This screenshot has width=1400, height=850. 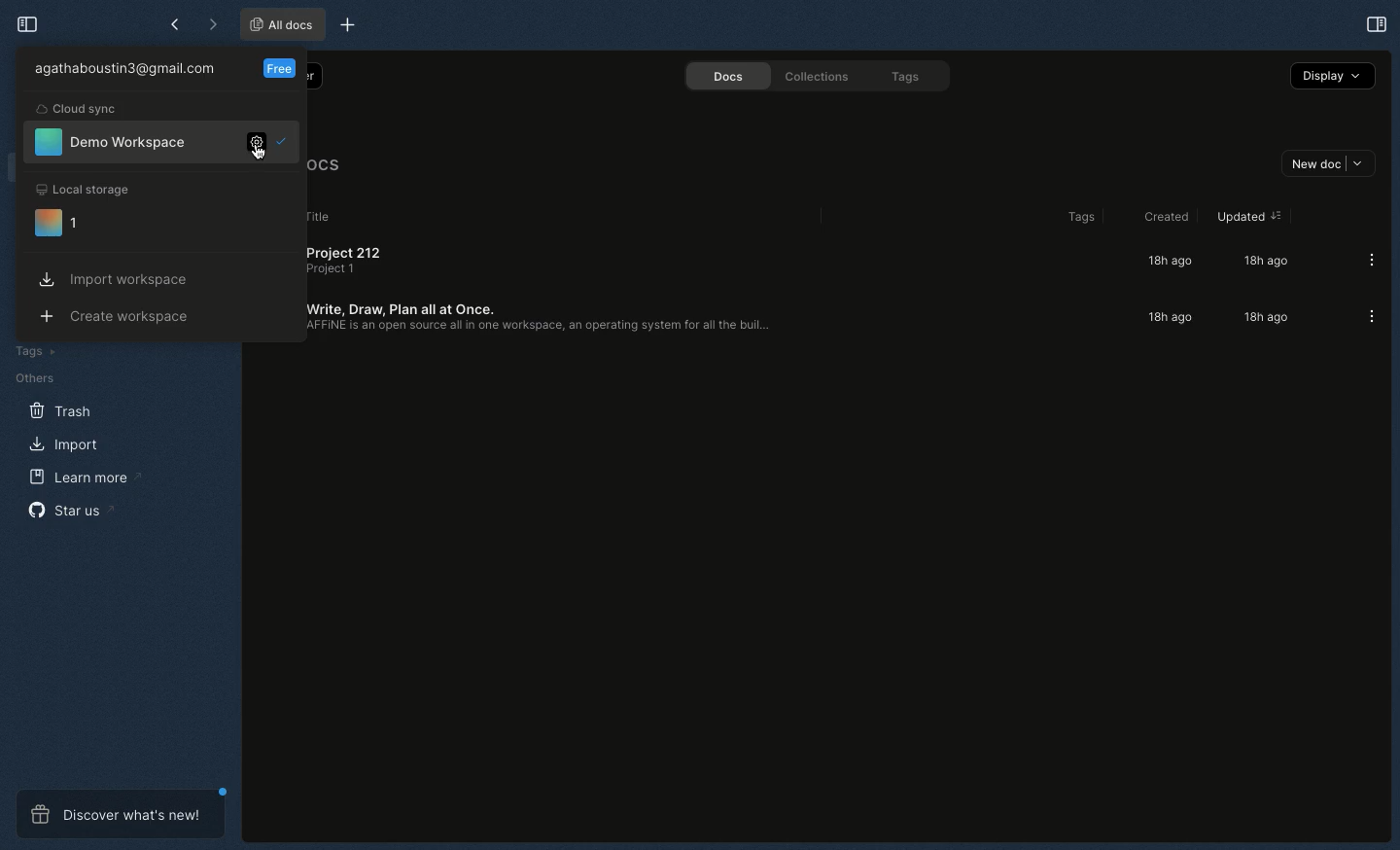 What do you see at coordinates (209, 23) in the screenshot?
I see `Forward` at bounding box center [209, 23].